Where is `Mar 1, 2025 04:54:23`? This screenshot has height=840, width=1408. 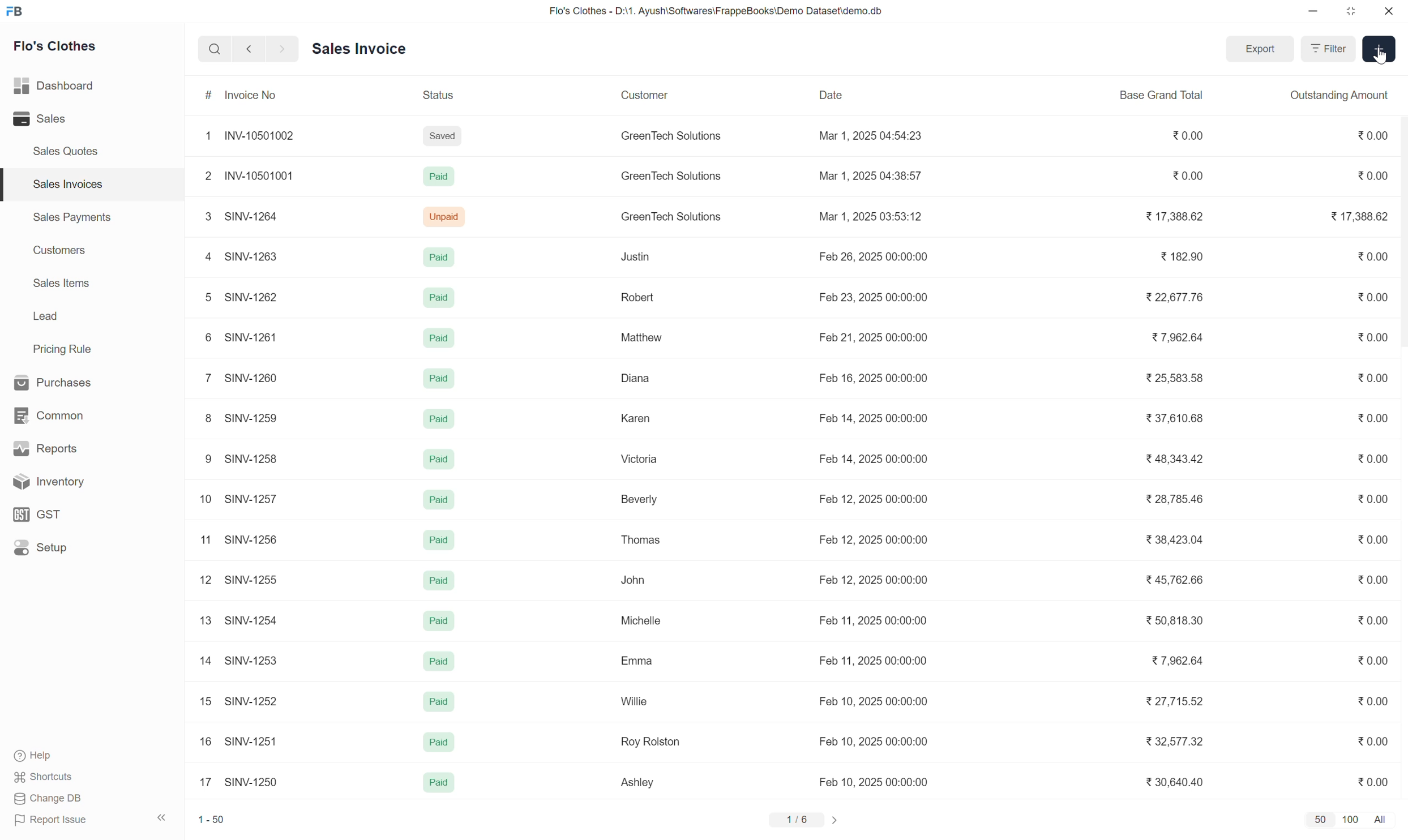 Mar 1, 2025 04:54:23 is located at coordinates (871, 136).